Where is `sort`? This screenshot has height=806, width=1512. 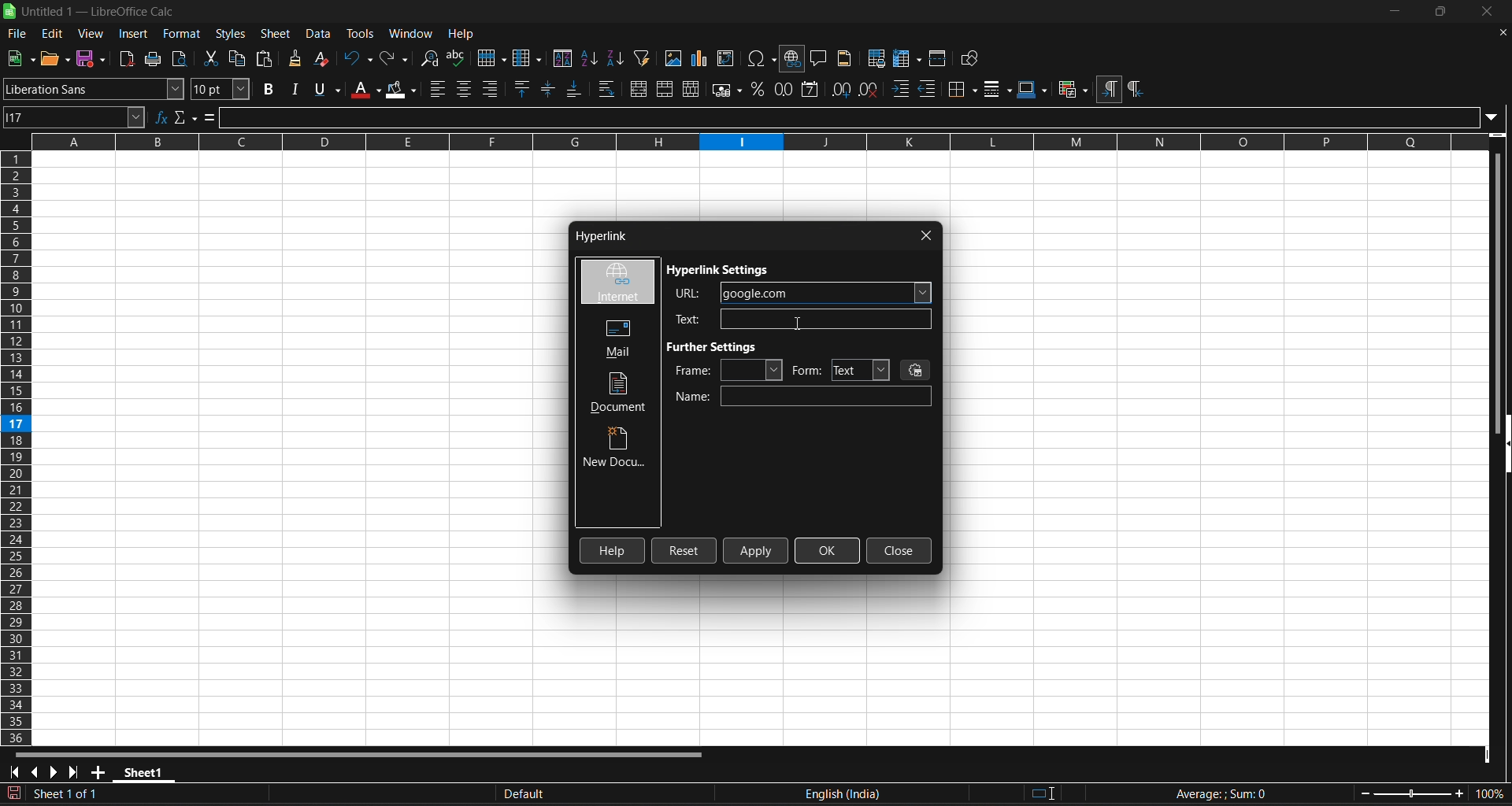
sort is located at coordinates (563, 57).